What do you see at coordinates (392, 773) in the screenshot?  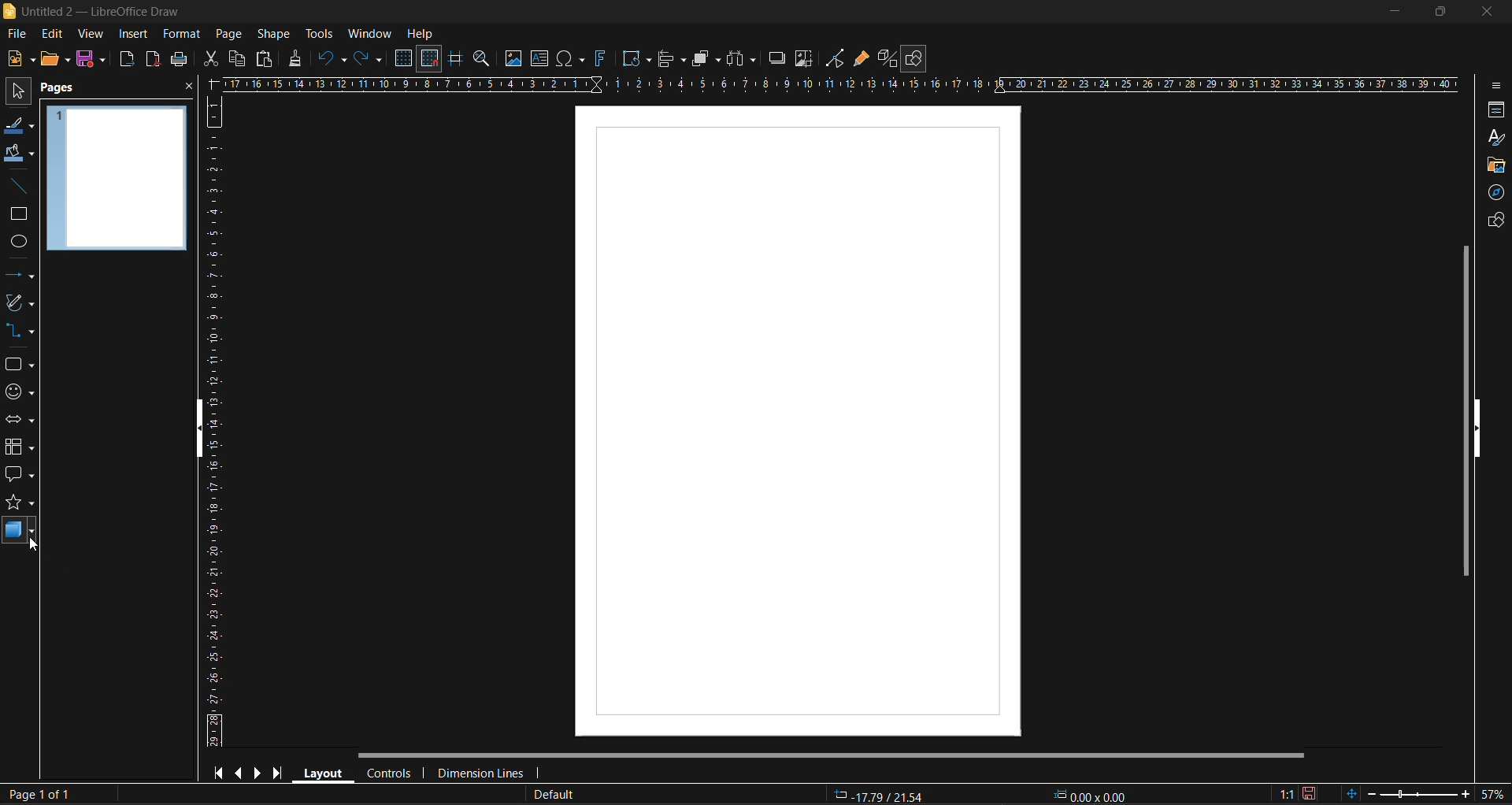 I see `controls` at bounding box center [392, 773].